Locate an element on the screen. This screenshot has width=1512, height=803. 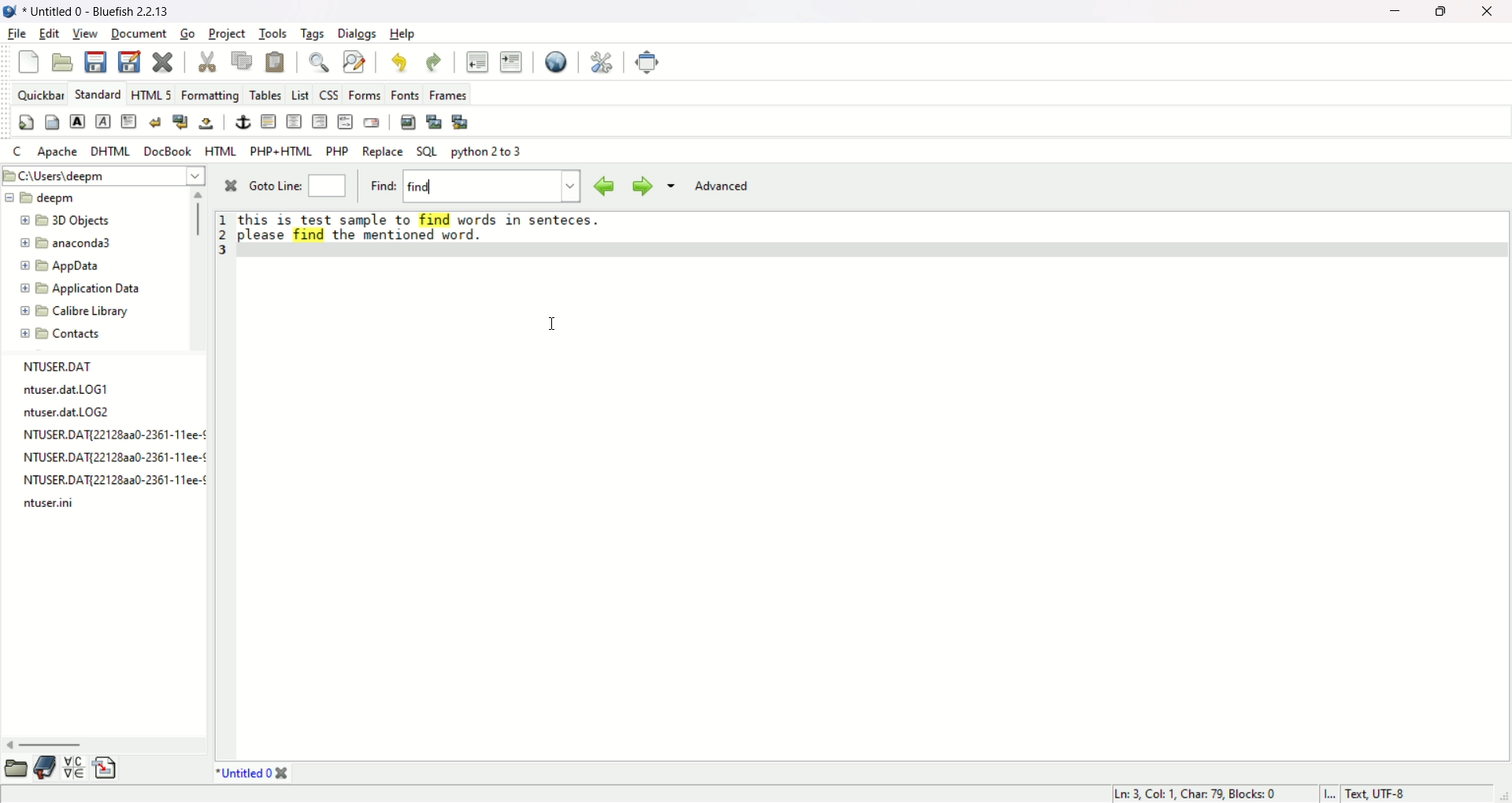
quickbar is located at coordinates (39, 92).